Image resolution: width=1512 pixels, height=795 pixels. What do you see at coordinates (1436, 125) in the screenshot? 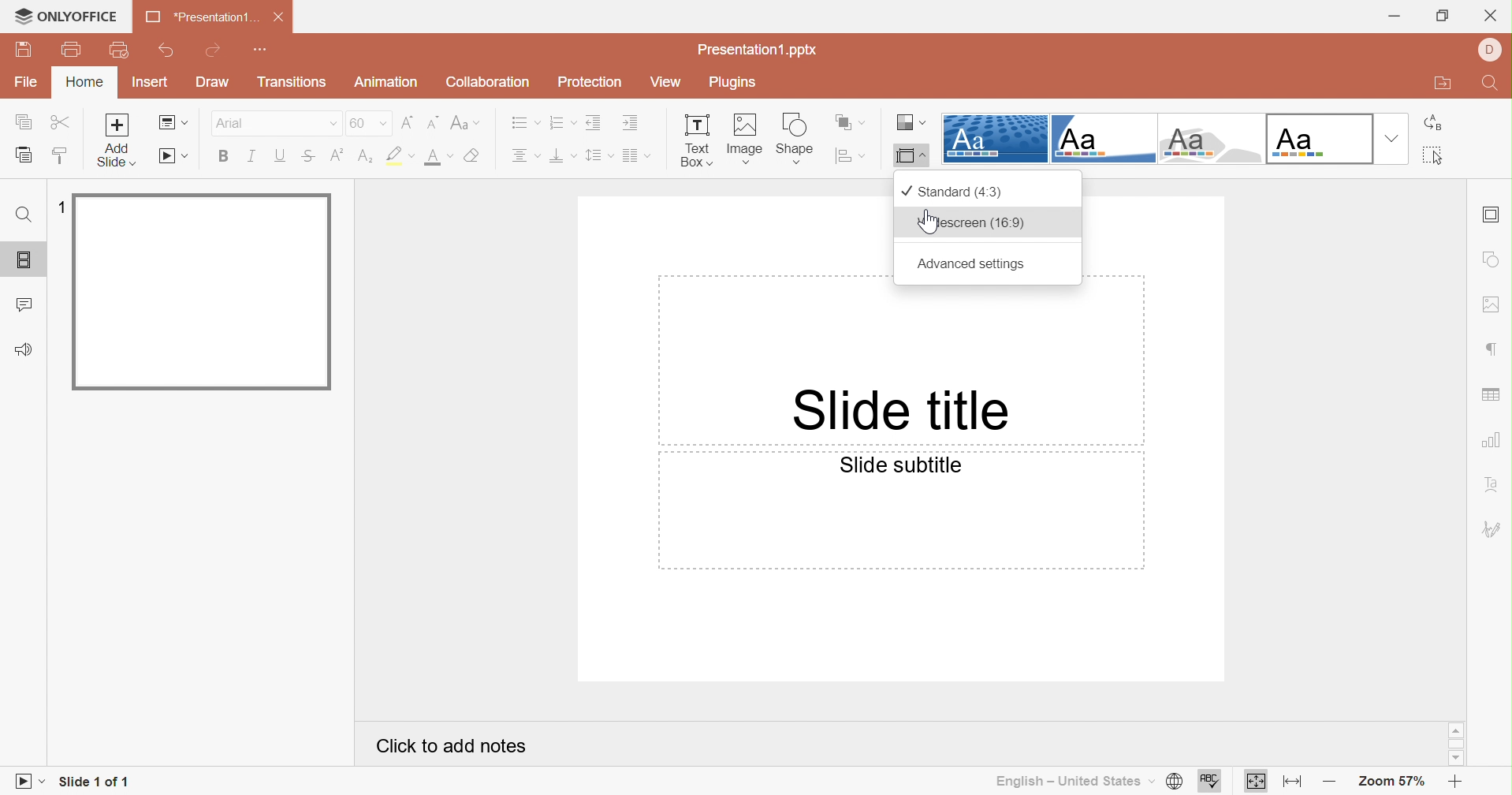
I see `Replace` at bounding box center [1436, 125].